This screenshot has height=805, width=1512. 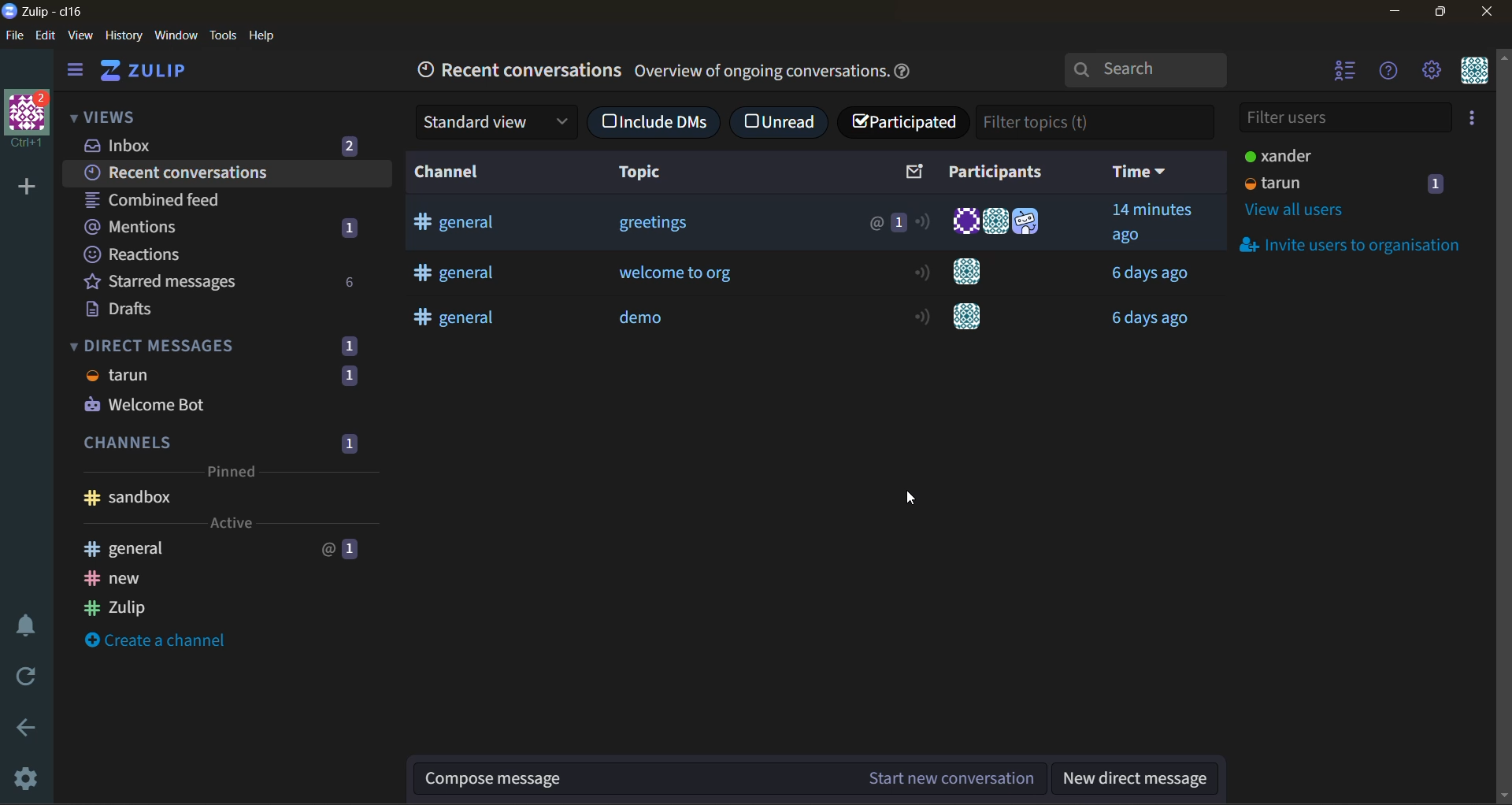 I want to click on settings, so click(x=23, y=781).